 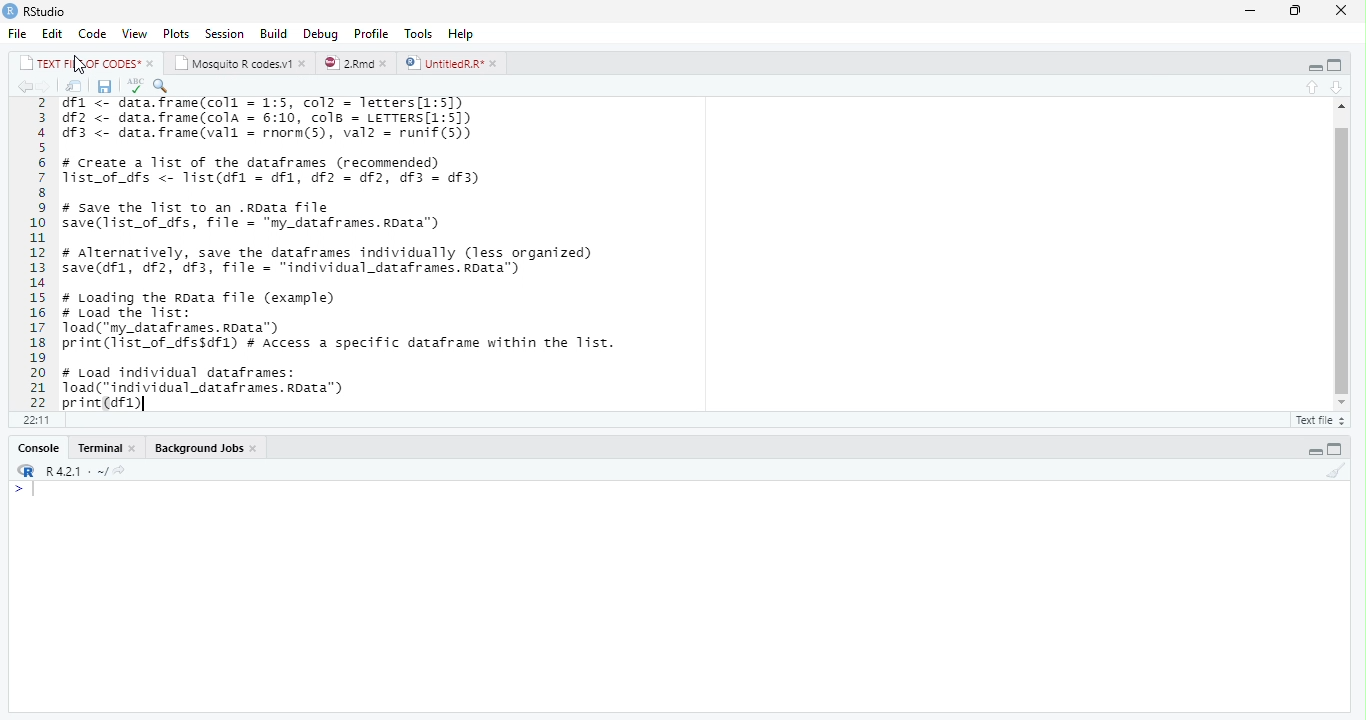 I want to click on 1:1, so click(x=33, y=420).